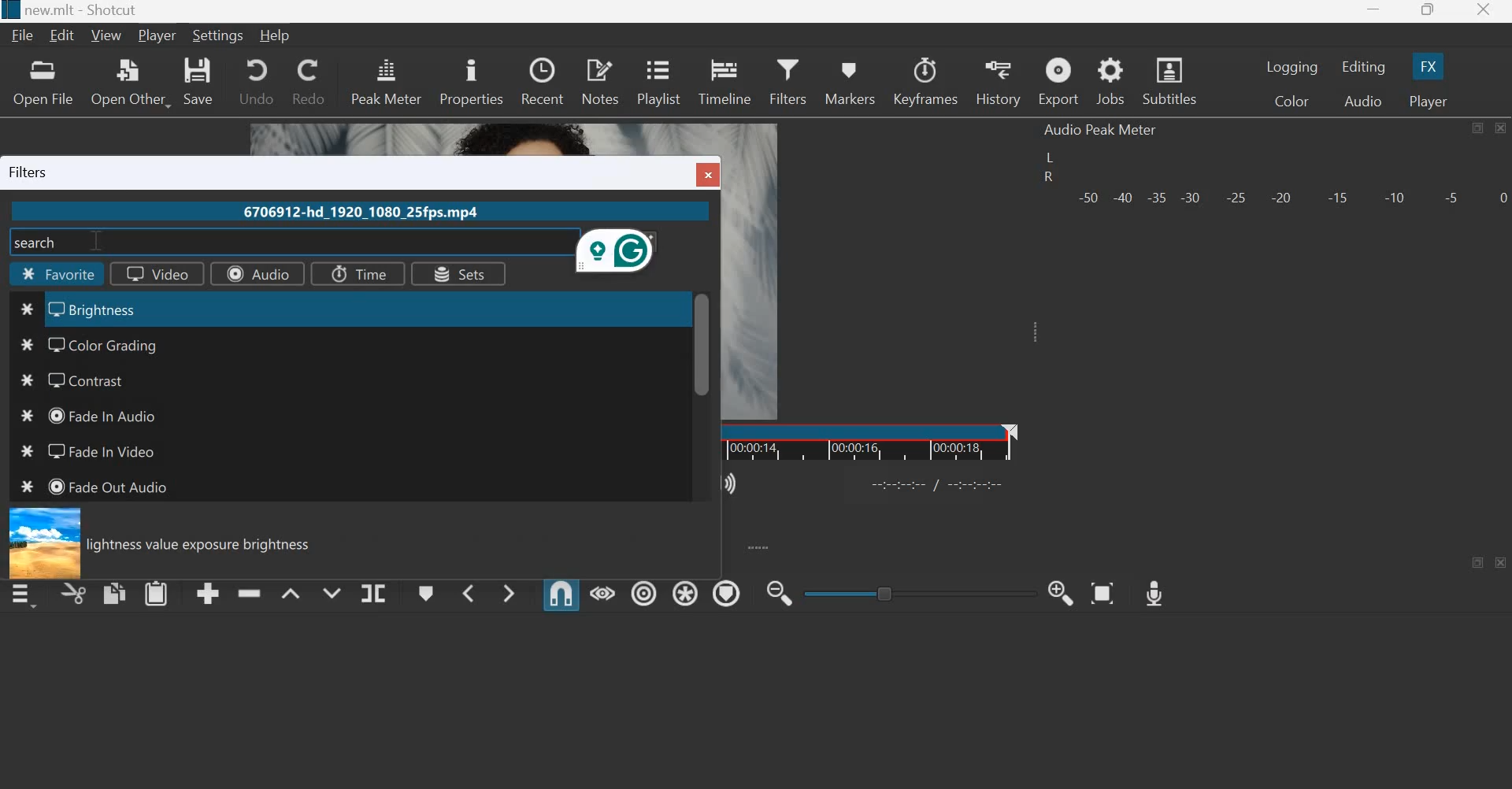 This screenshot has width=1512, height=789. Describe the element at coordinates (199, 81) in the screenshot. I see `save` at that location.